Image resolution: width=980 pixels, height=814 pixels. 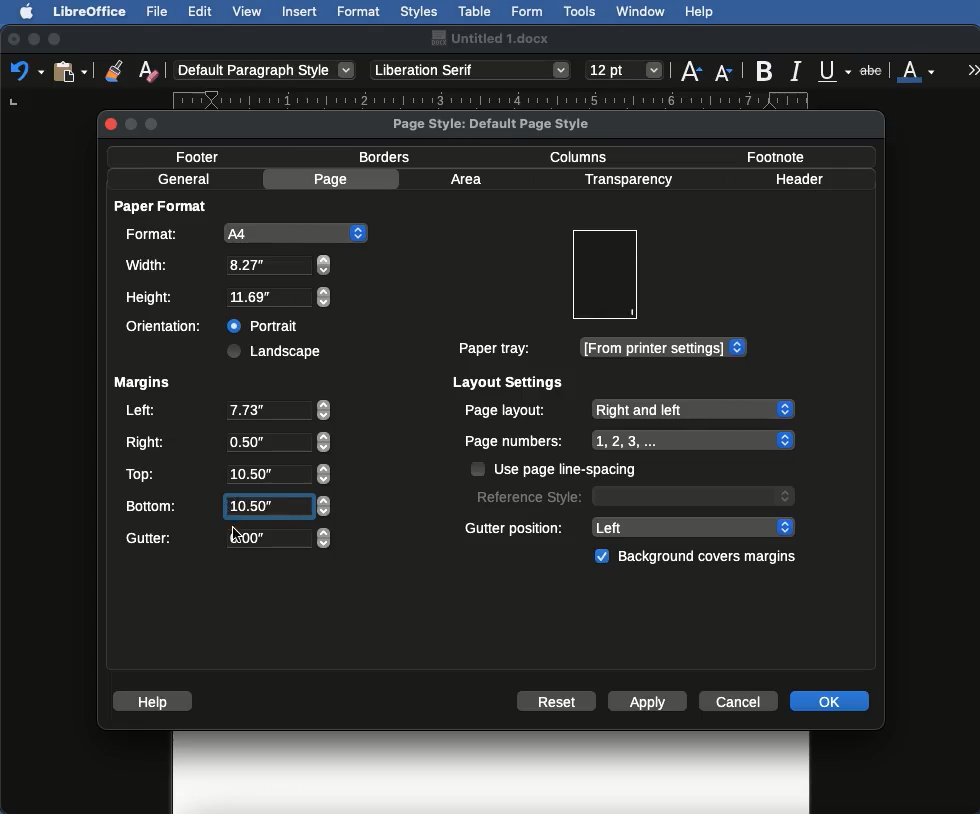 I want to click on Cancel, so click(x=741, y=700).